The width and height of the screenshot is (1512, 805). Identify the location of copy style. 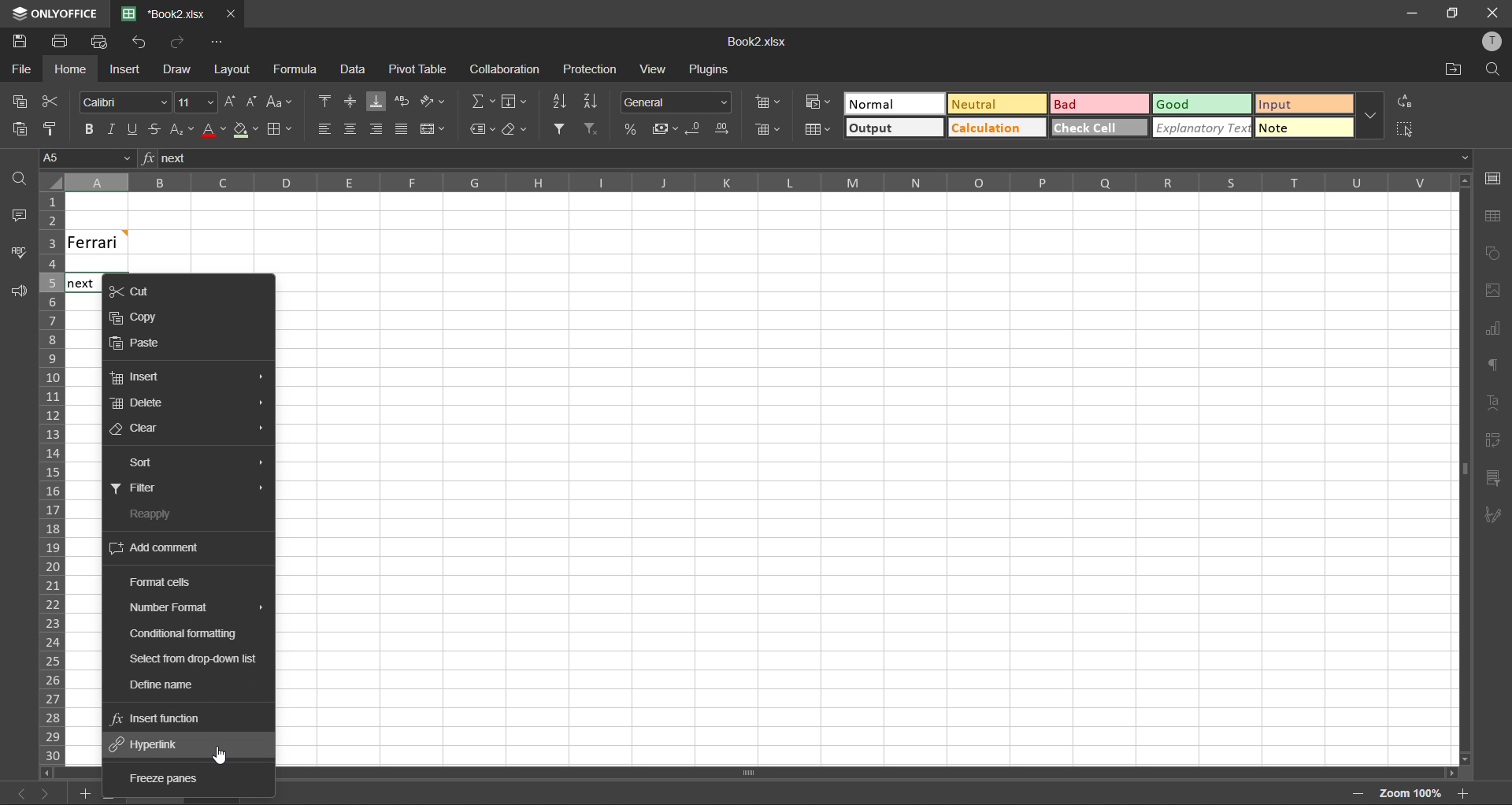
(54, 128).